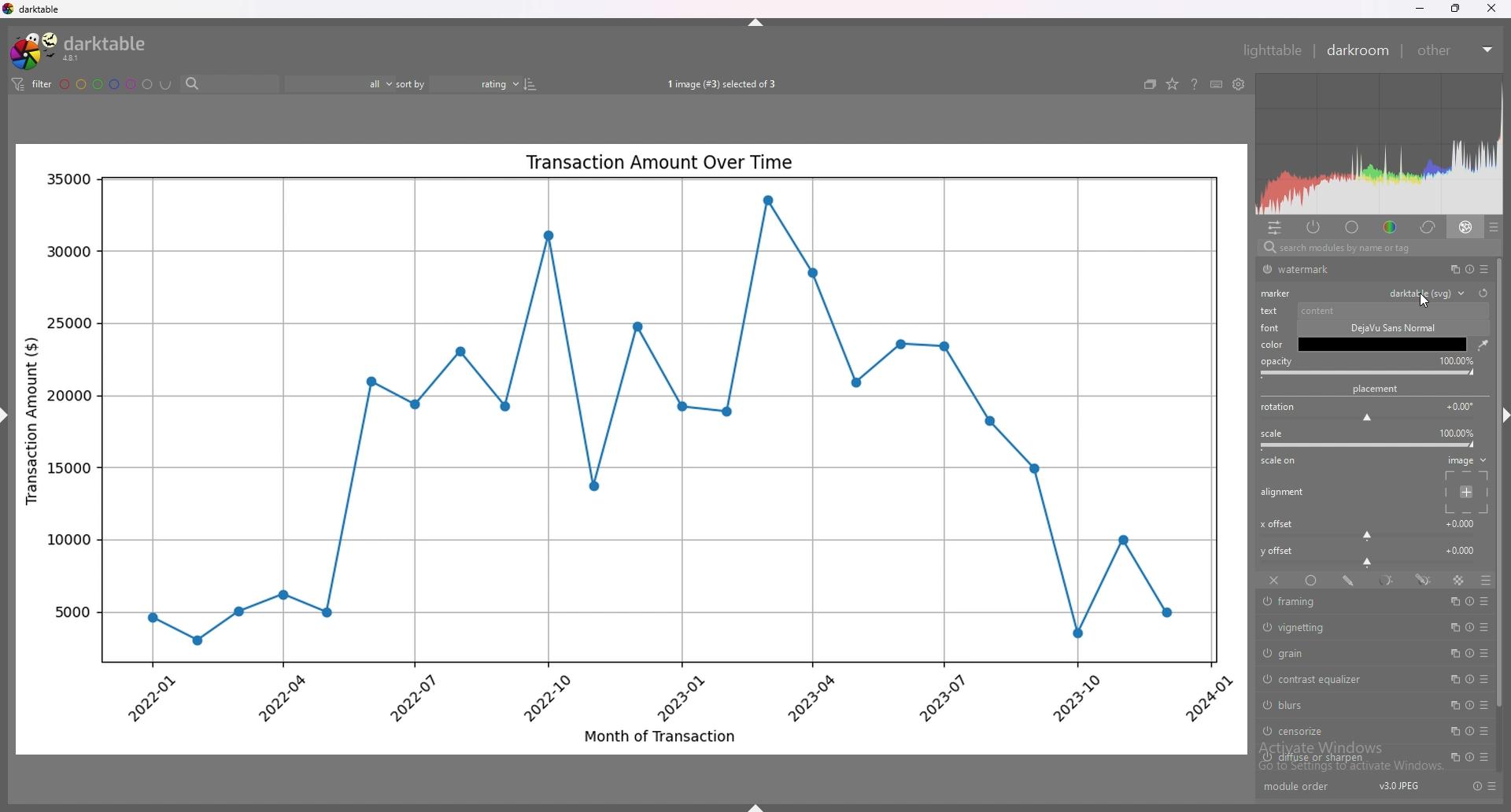 The width and height of the screenshot is (1511, 812). I want to click on censorize, so click(1339, 730).